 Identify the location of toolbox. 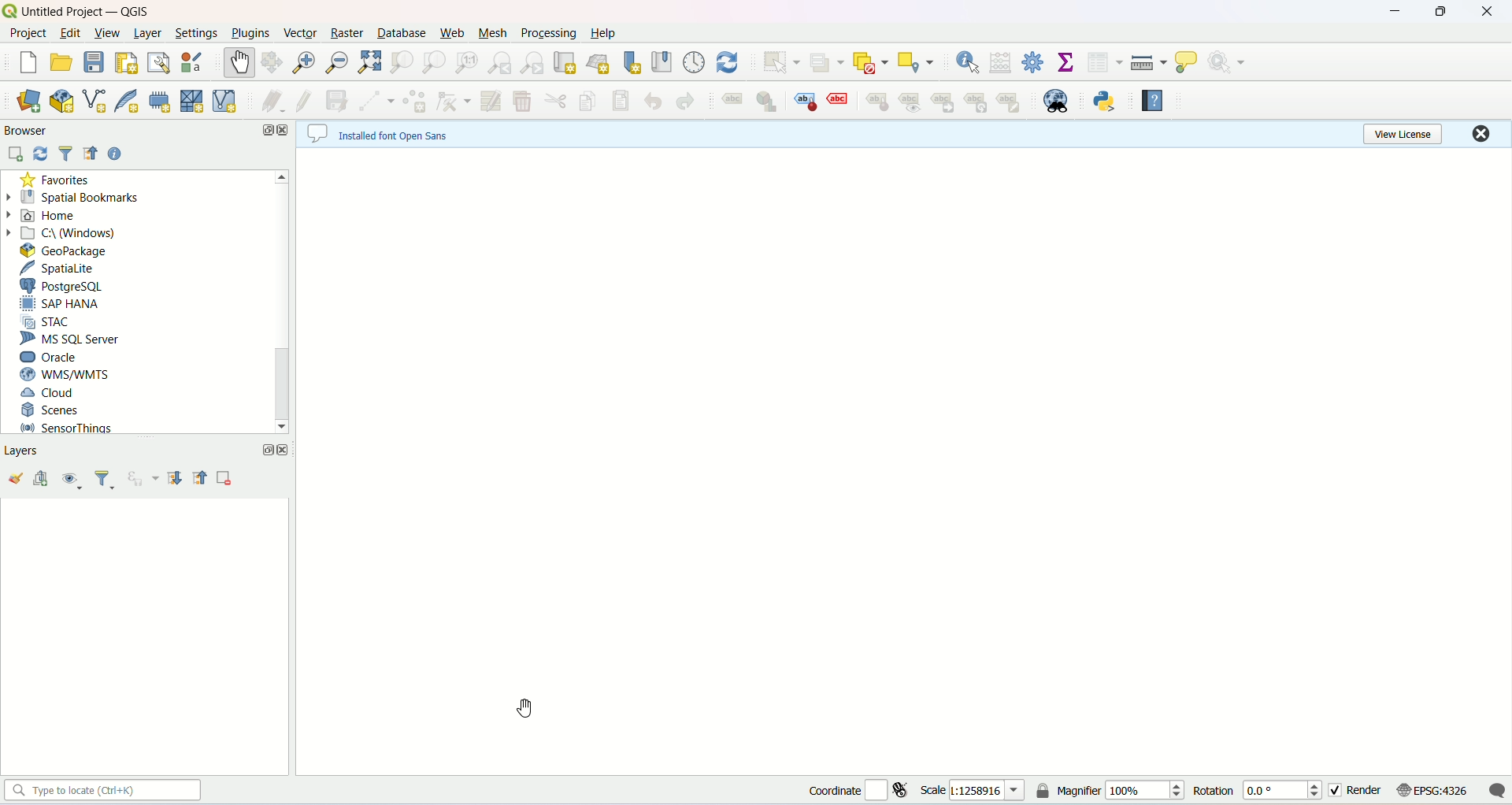
(1036, 62).